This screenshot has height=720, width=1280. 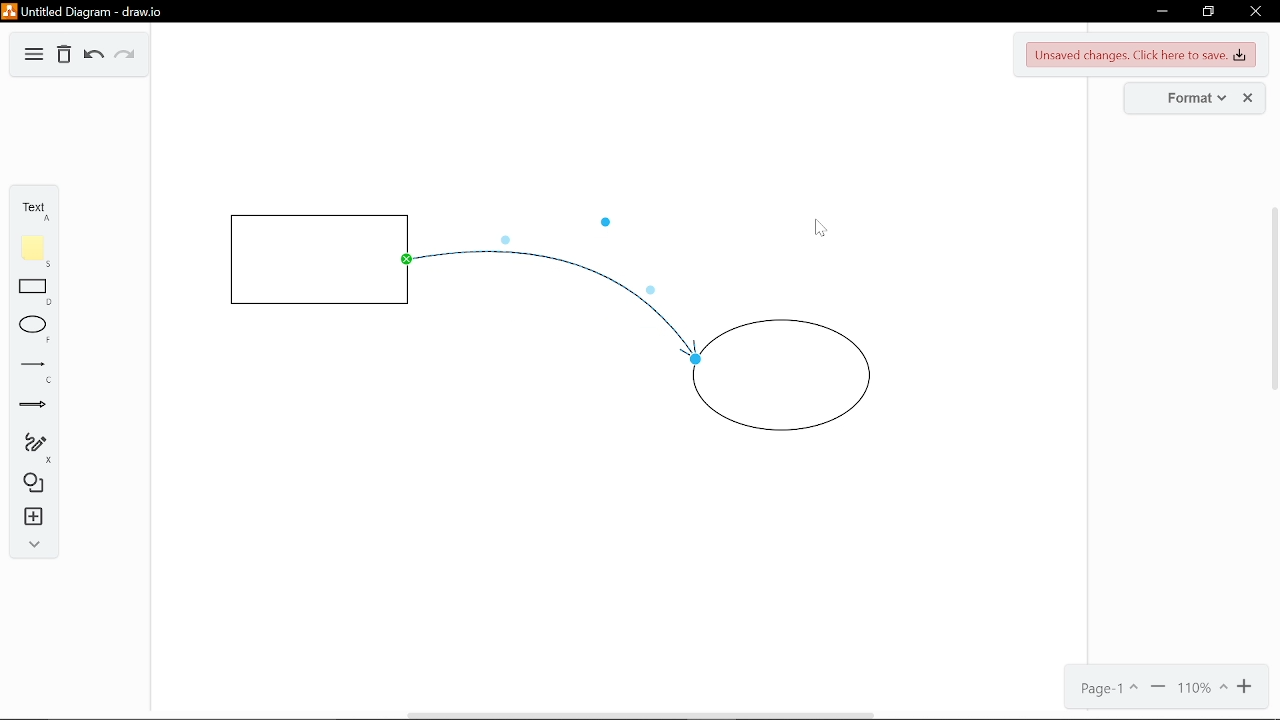 I want to click on Untitled Diagram - draw.io, so click(x=82, y=10).